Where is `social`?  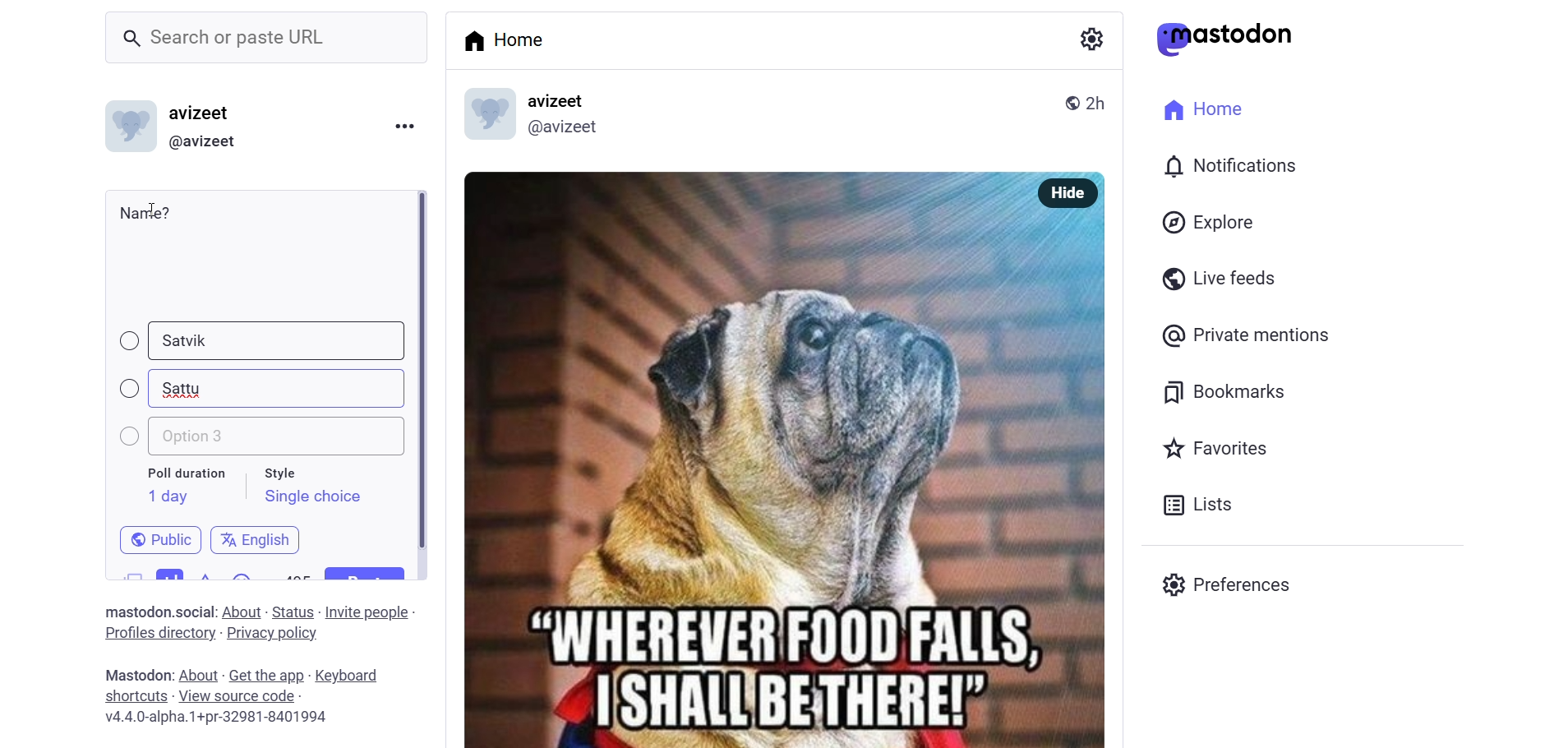 social is located at coordinates (192, 612).